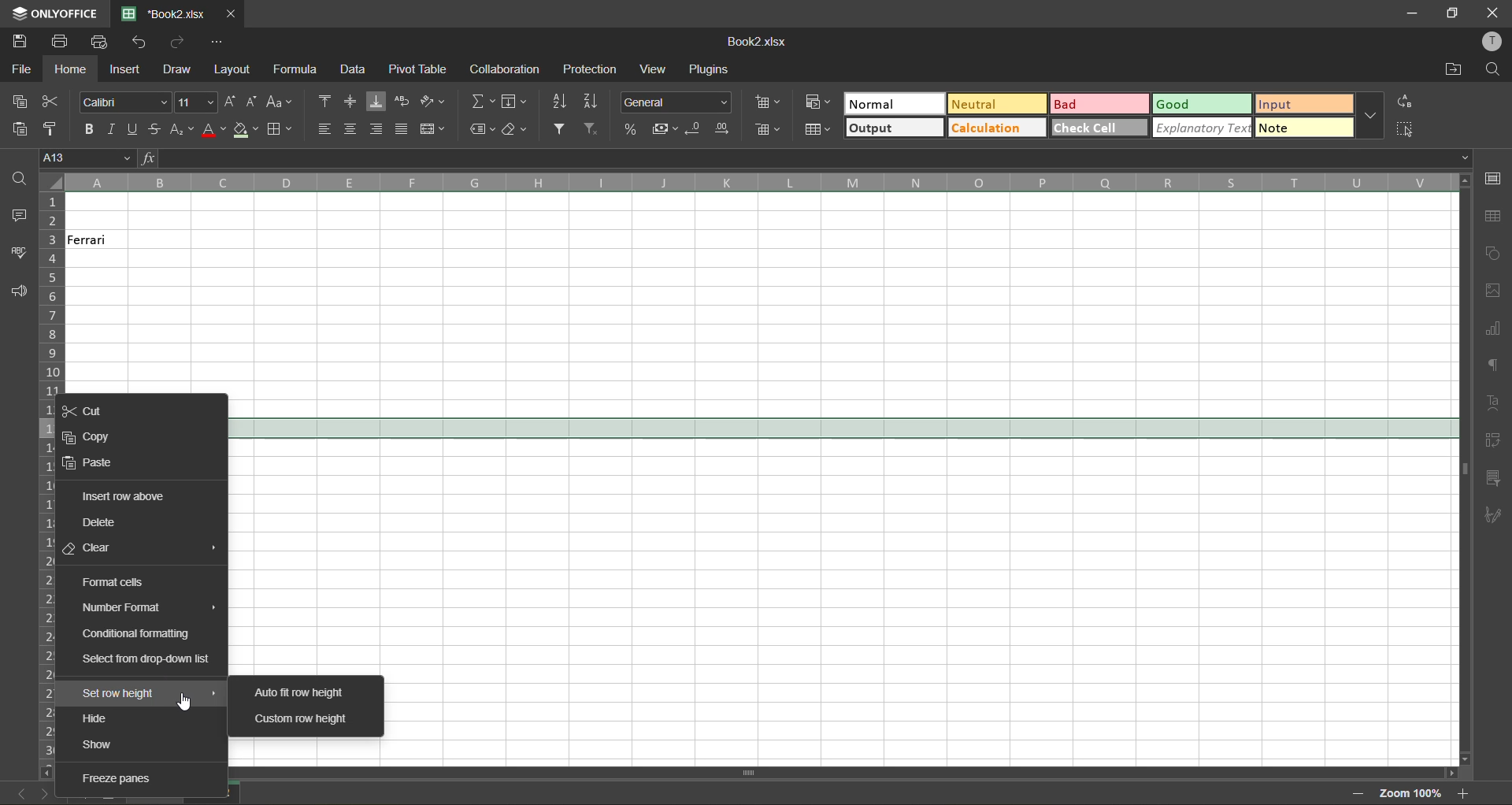  What do you see at coordinates (127, 67) in the screenshot?
I see `insert` at bounding box center [127, 67].